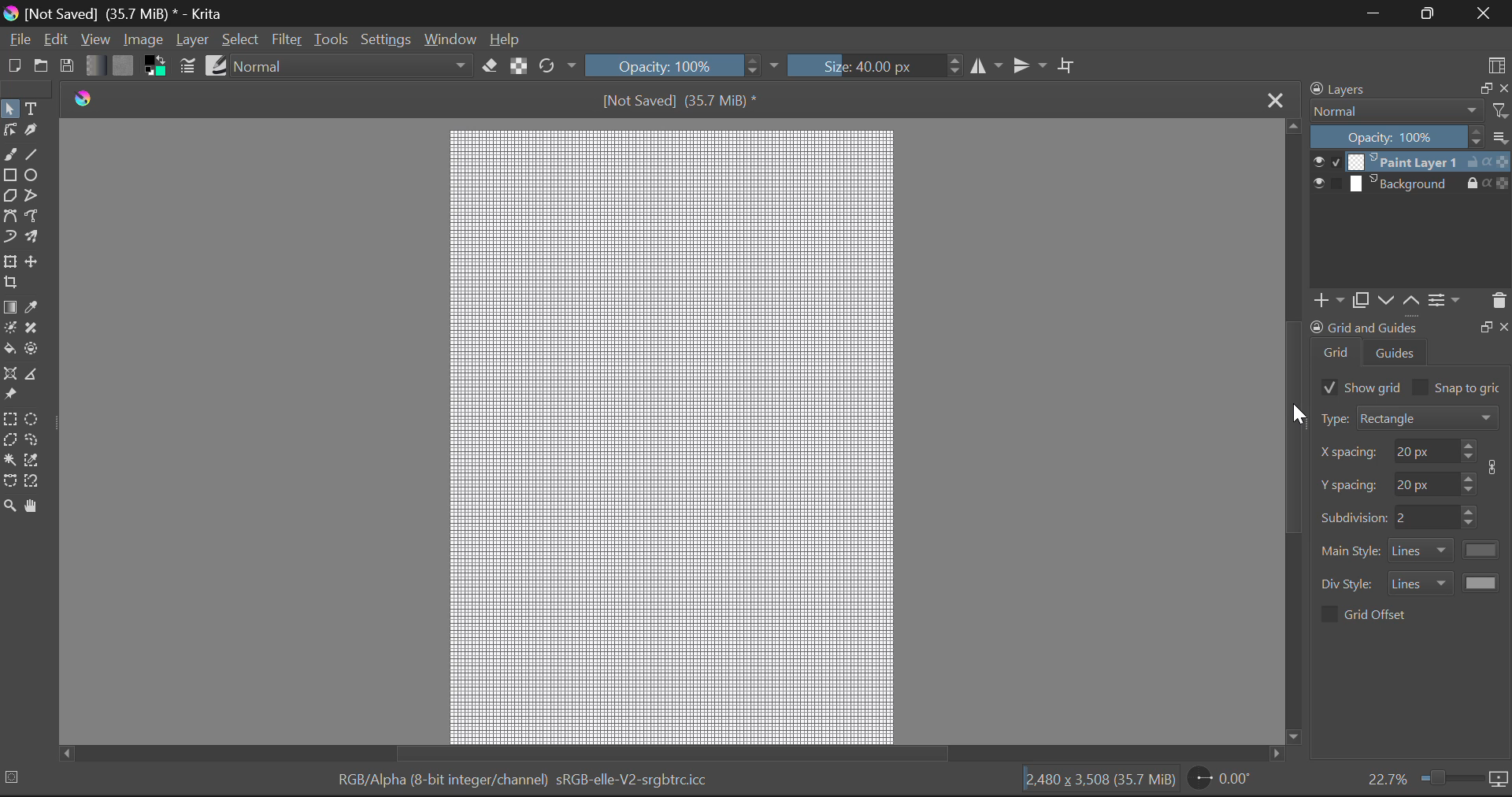 The width and height of the screenshot is (1512, 797). Describe the element at coordinates (1496, 64) in the screenshot. I see `Choose Workspace` at that location.